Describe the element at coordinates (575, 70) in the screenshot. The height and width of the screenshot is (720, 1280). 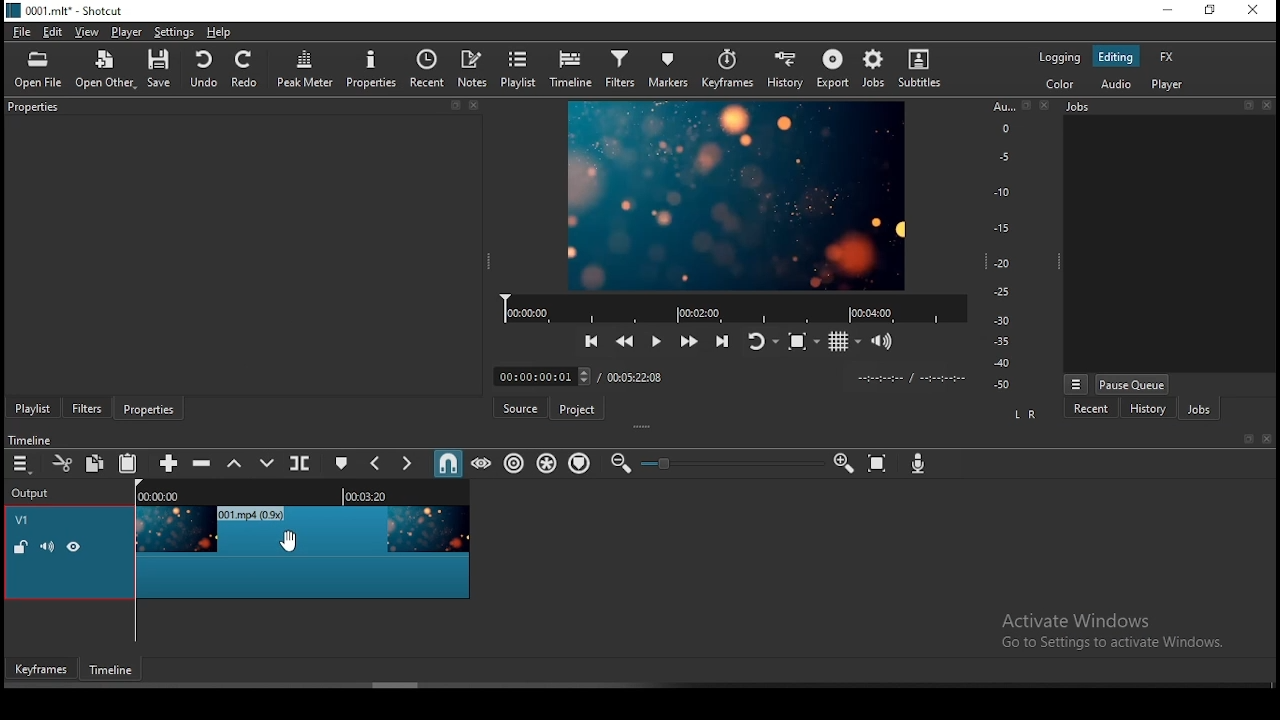
I see `timeline` at that location.